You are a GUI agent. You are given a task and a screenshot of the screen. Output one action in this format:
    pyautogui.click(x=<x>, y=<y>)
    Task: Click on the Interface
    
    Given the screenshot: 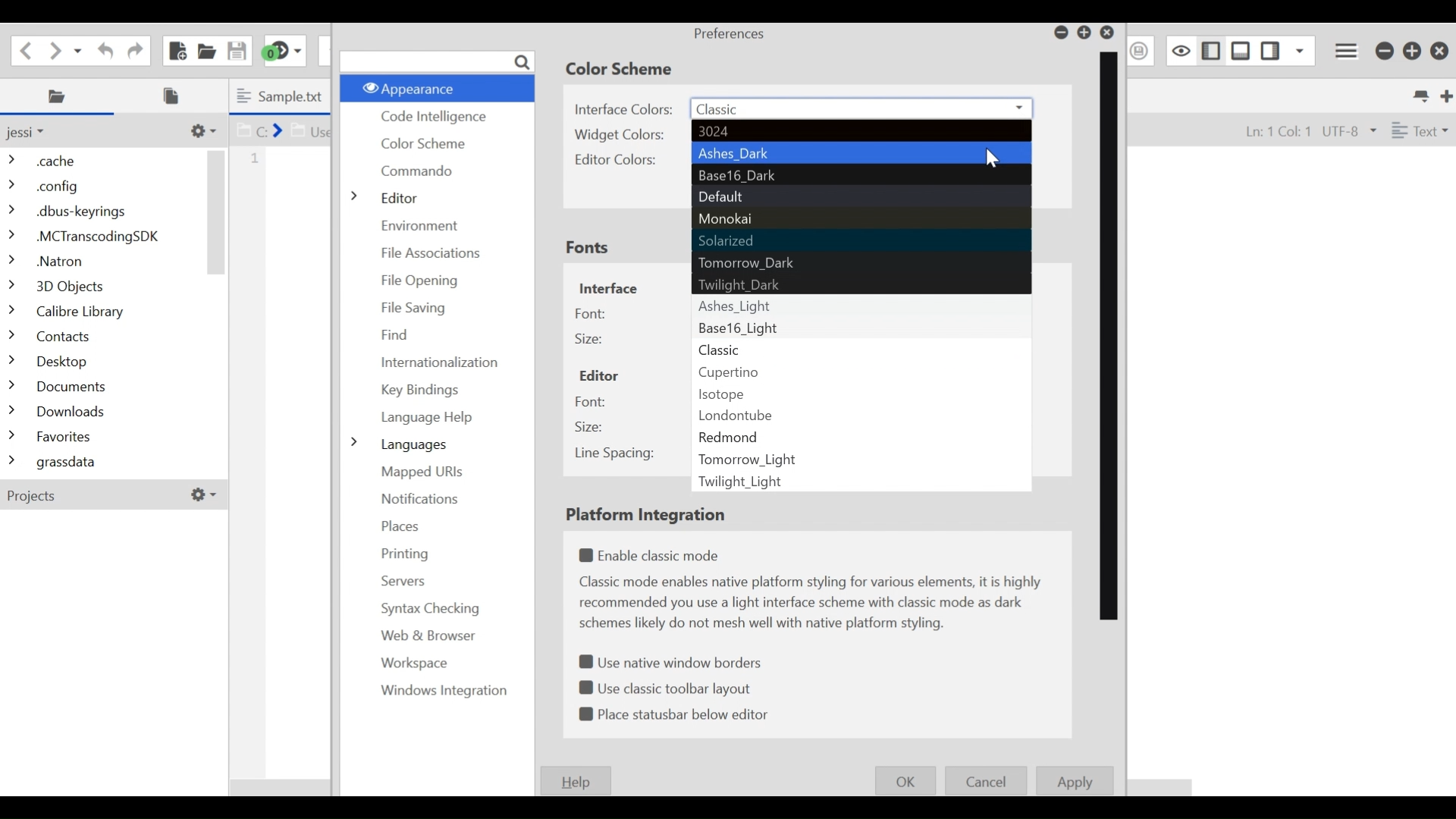 What is the action you would take?
    pyautogui.click(x=609, y=287)
    